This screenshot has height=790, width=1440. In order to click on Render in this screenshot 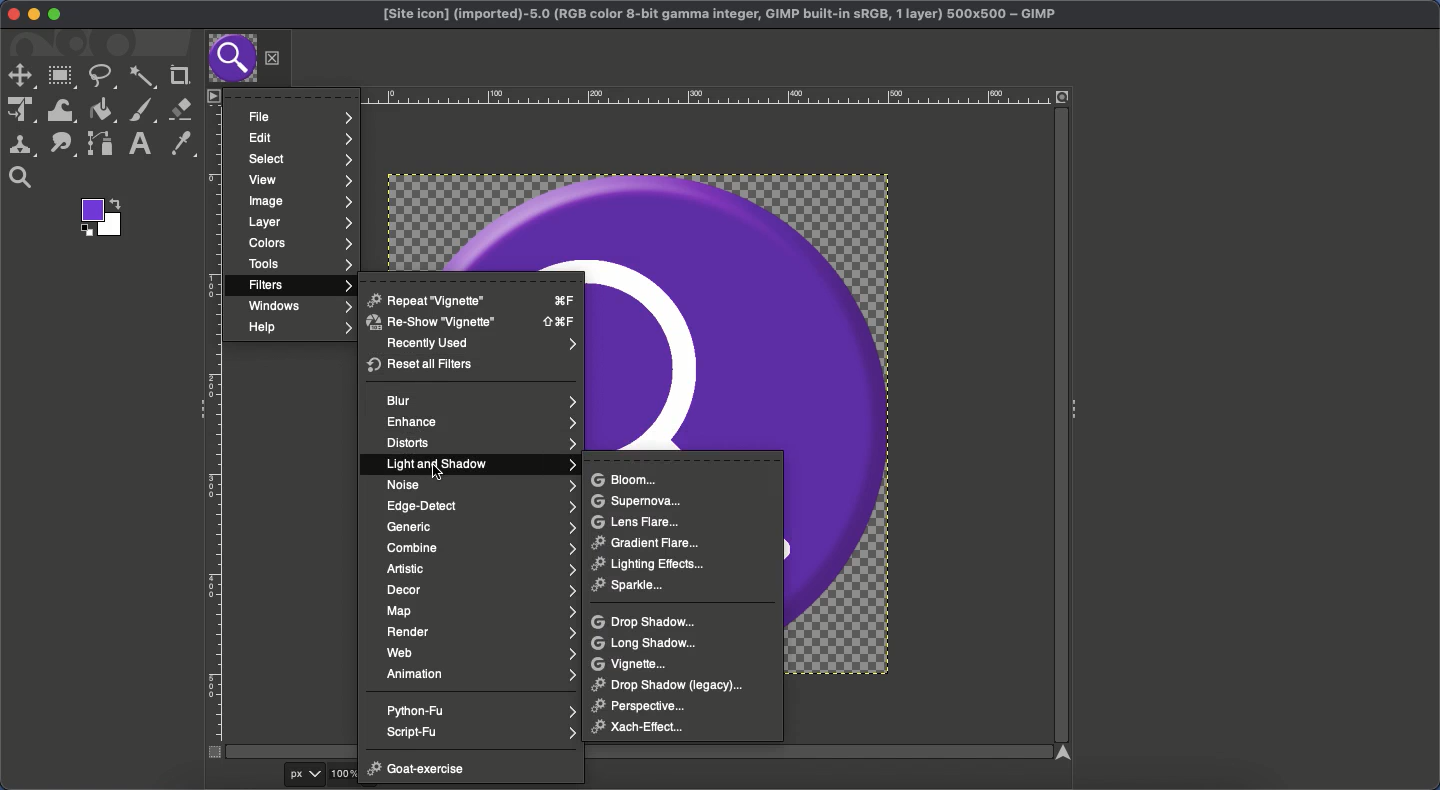, I will do `click(481, 632)`.